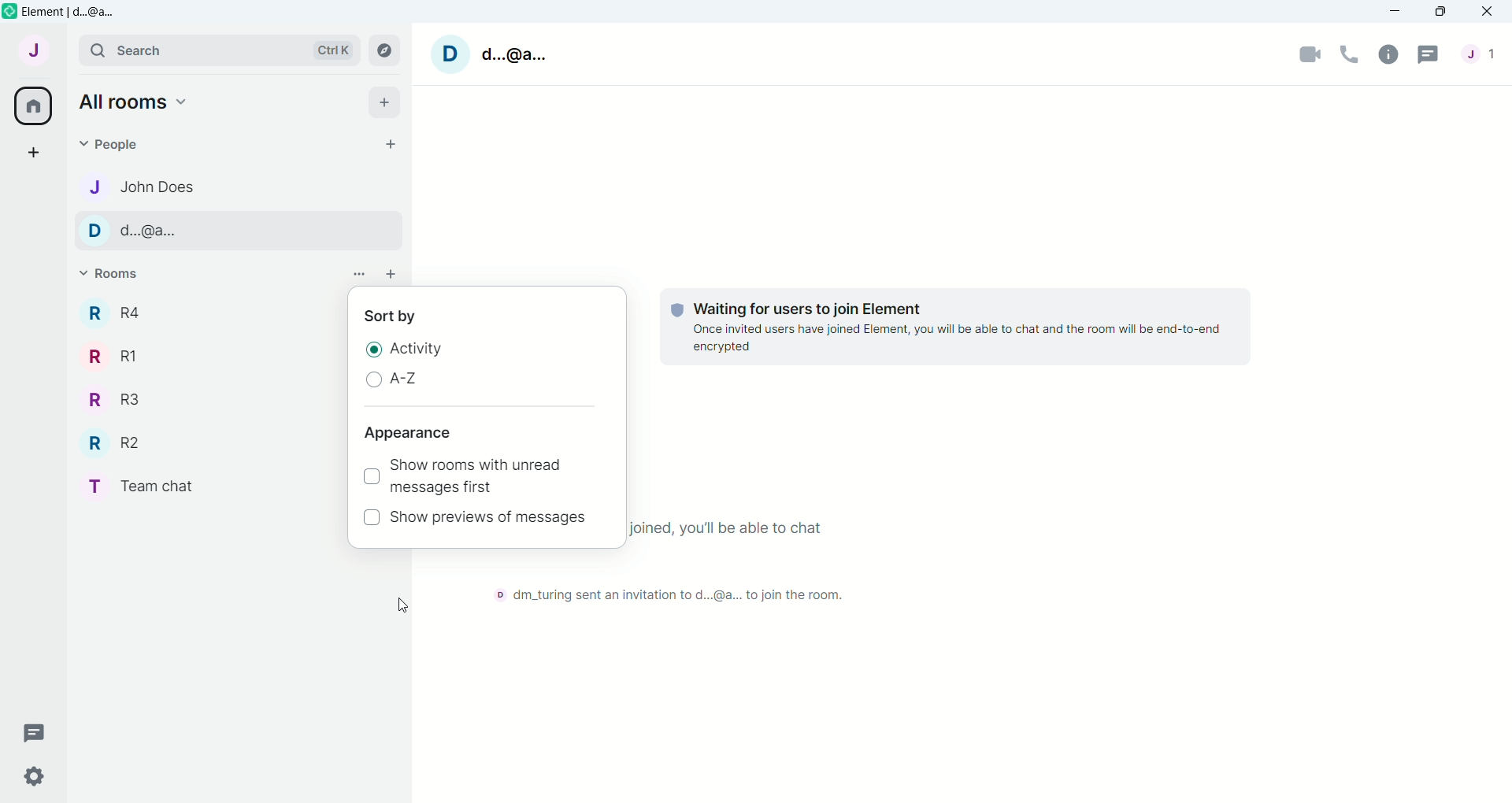 This screenshot has height=803, width=1512. Describe the element at coordinates (1429, 54) in the screenshot. I see `Threads` at that location.